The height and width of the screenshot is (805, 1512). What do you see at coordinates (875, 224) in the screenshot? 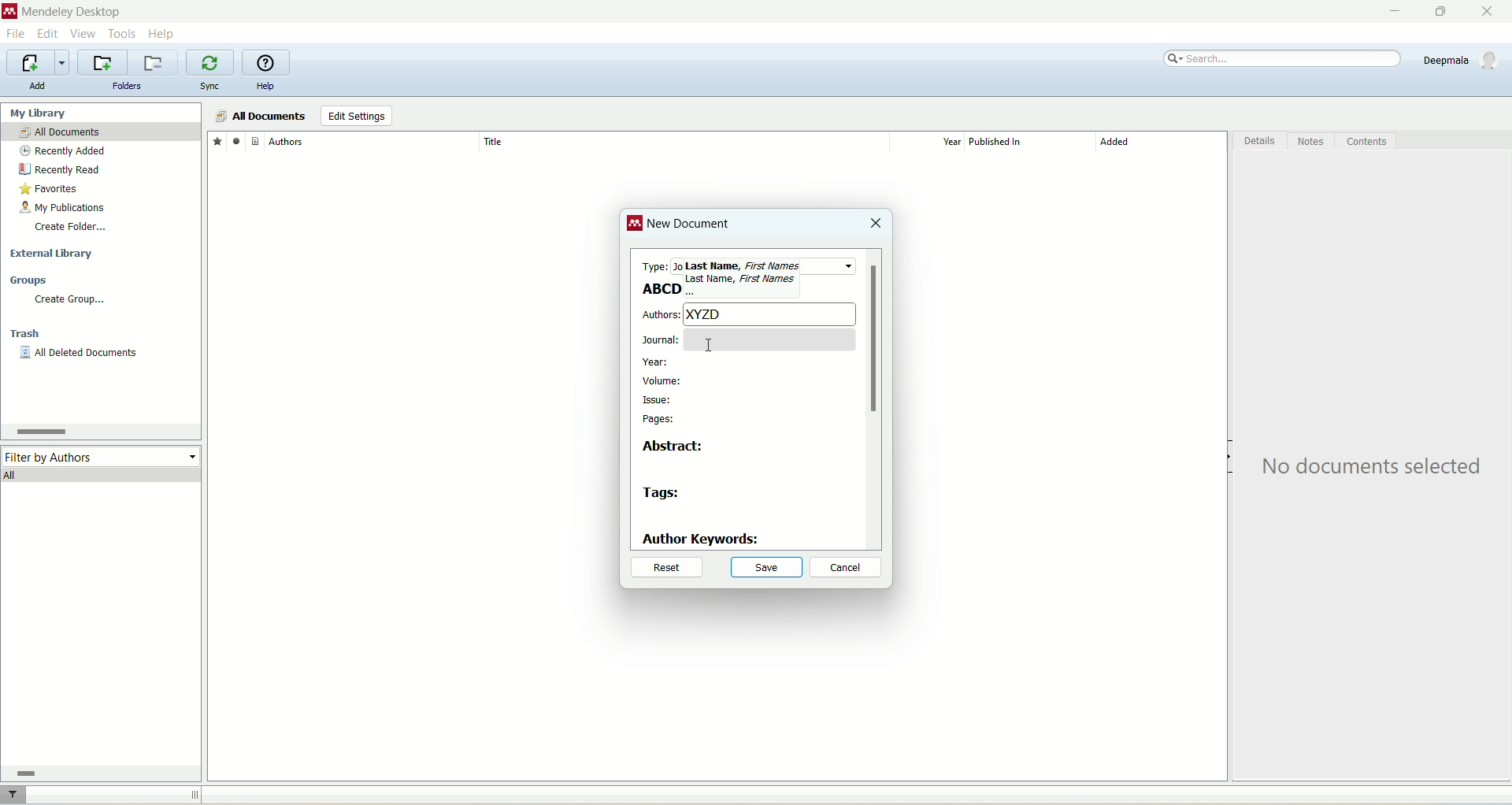
I see `close` at bounding box center [875, 224].